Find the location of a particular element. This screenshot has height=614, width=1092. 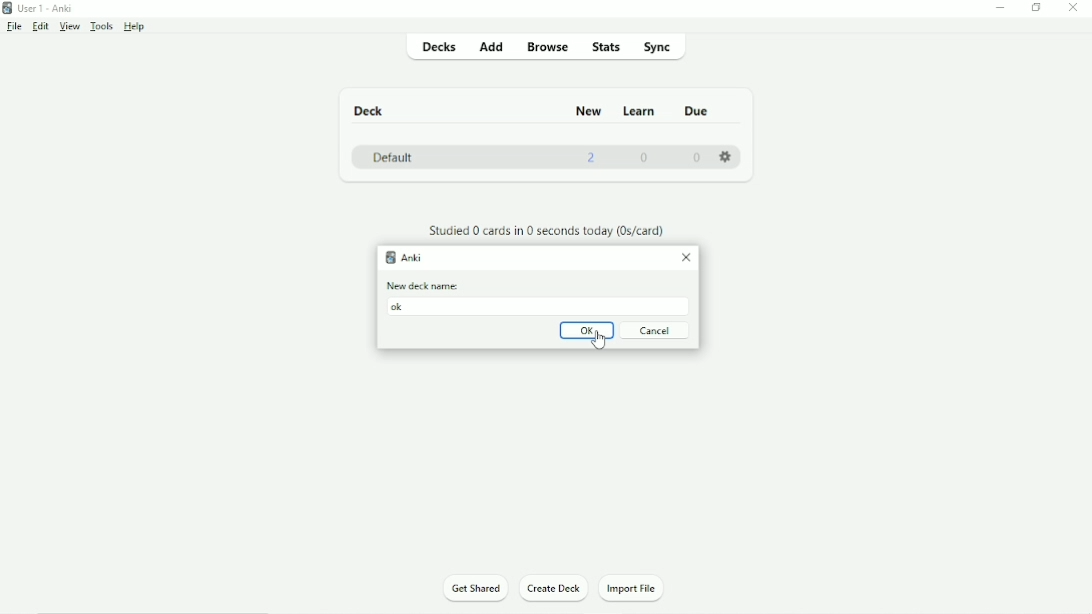

Anki is located at coordinates (404, 257).